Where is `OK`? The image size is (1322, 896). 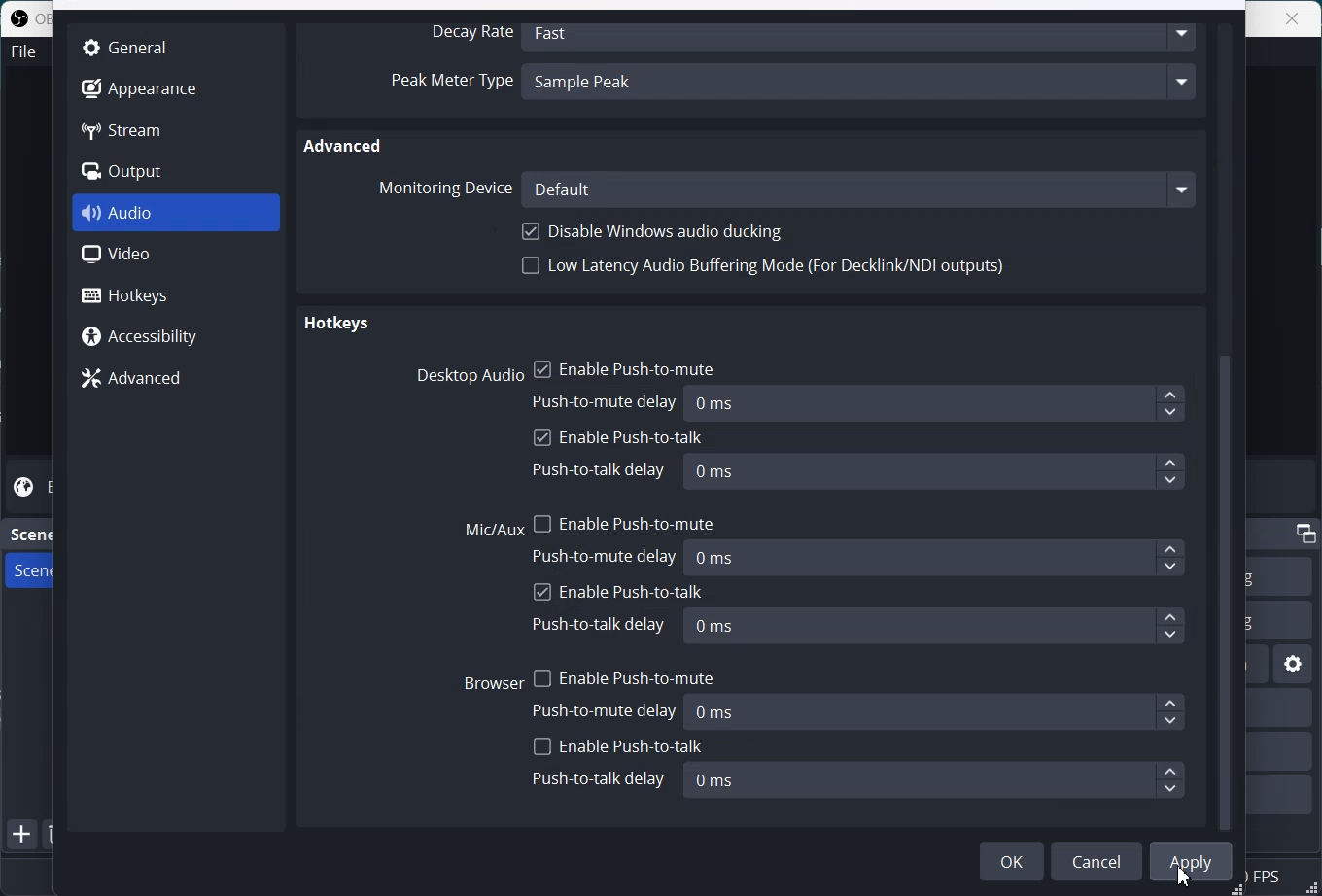 OK is located at coordinates (1012, 861).